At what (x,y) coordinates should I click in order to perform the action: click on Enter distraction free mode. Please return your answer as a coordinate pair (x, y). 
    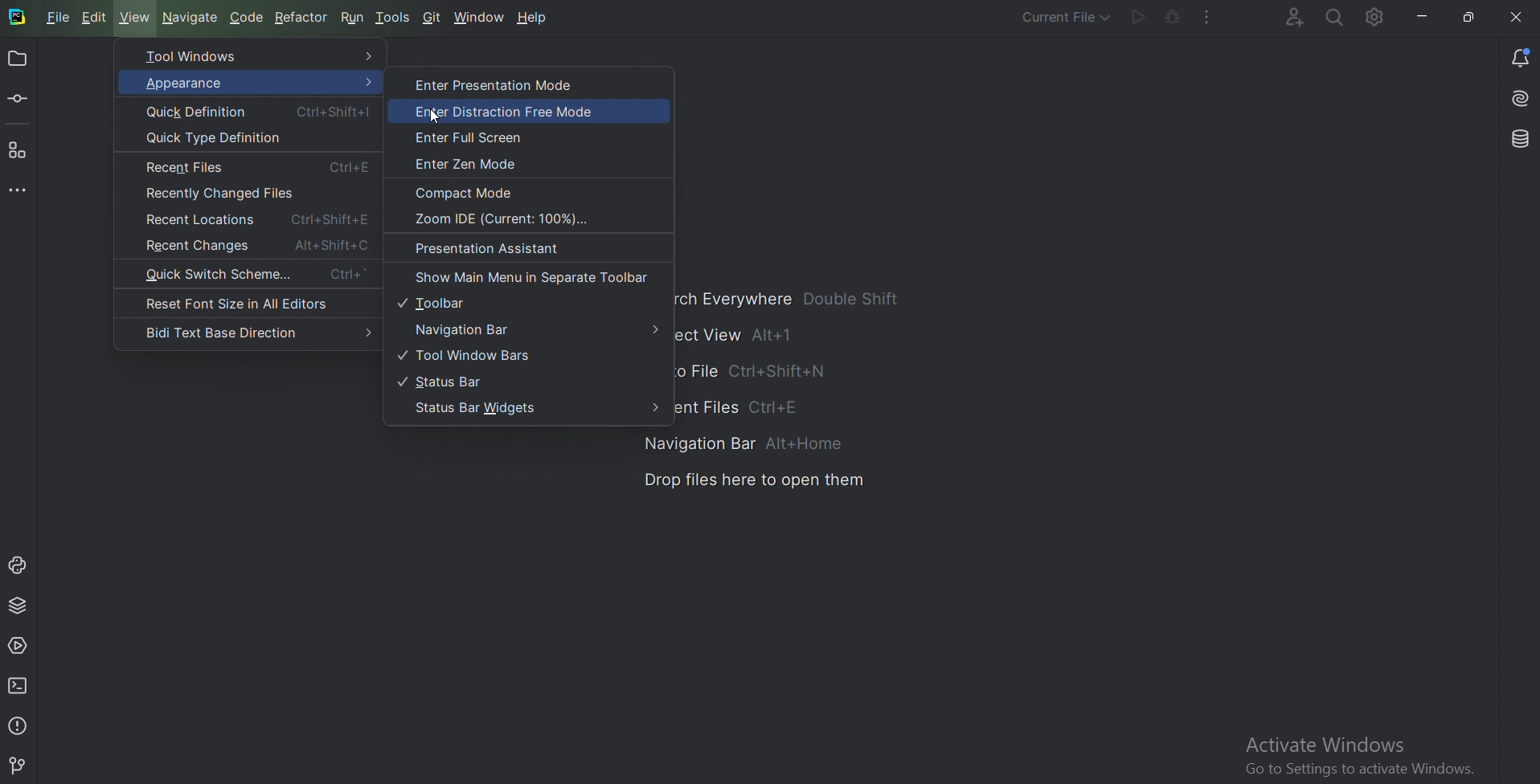
    Looking at the image, I should click on (520, 112).